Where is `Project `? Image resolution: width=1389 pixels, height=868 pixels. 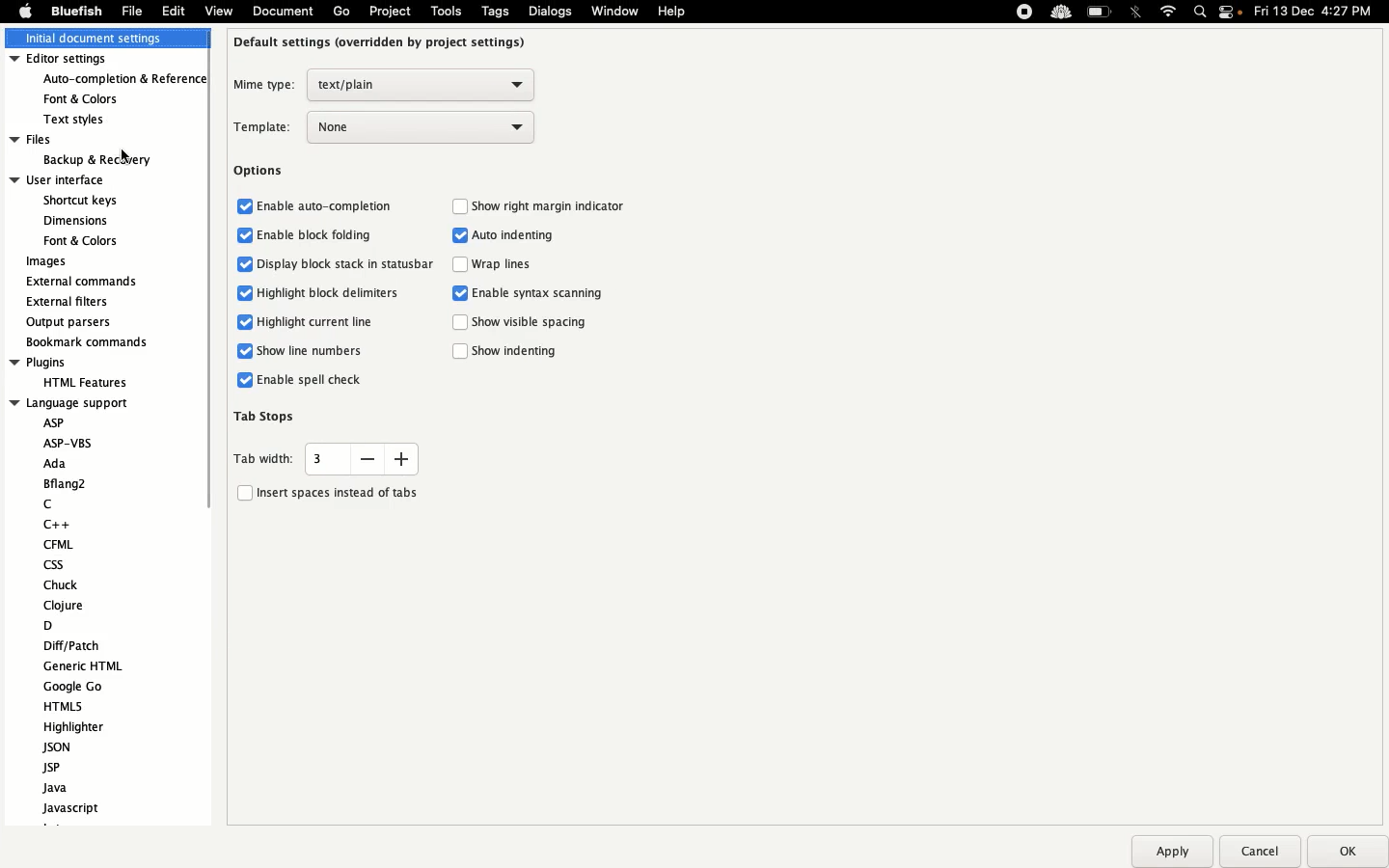 Project  is located at coordinates (392, 13).